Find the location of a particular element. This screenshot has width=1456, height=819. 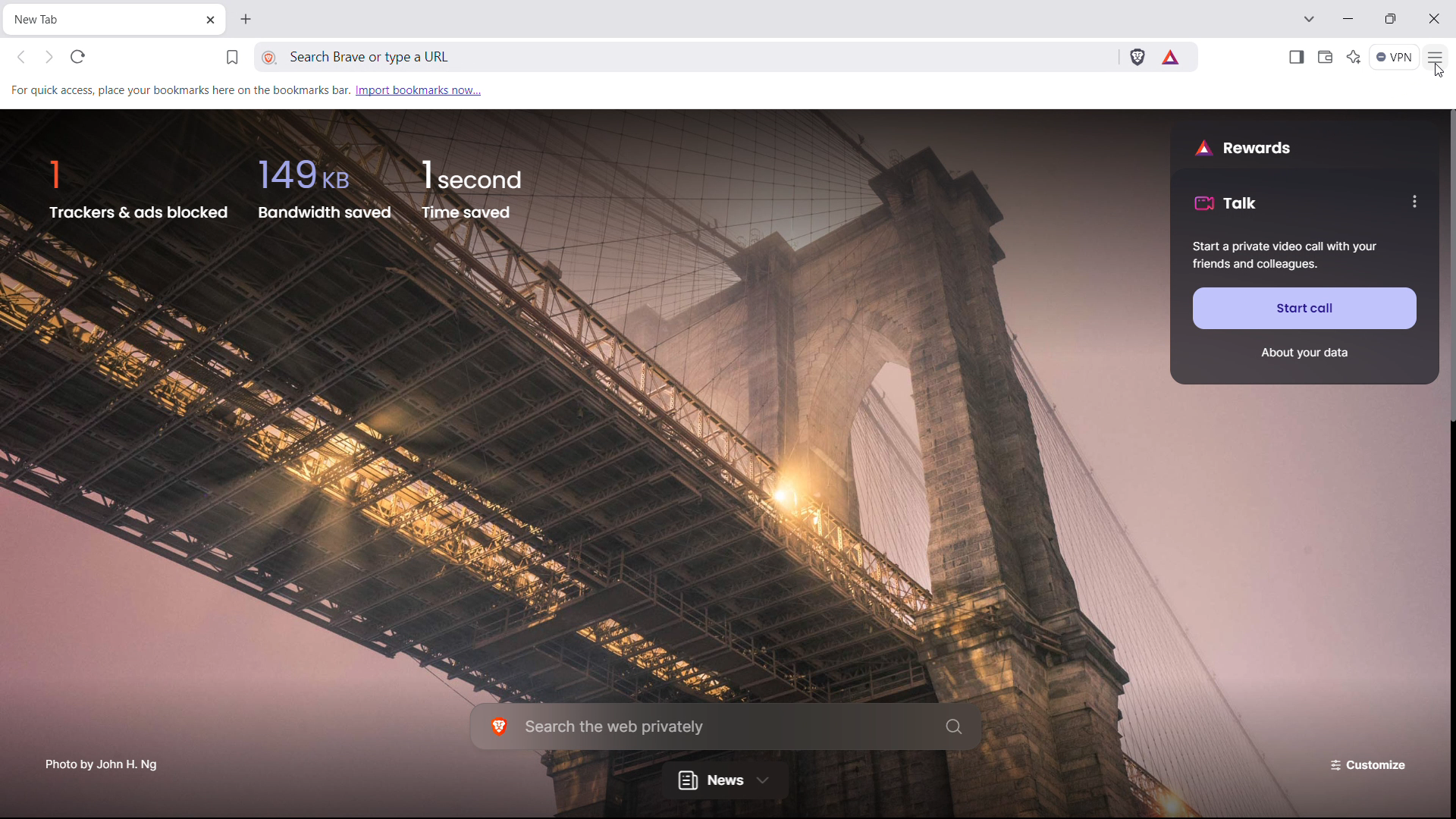

close is located at coordinates (1436, 18).